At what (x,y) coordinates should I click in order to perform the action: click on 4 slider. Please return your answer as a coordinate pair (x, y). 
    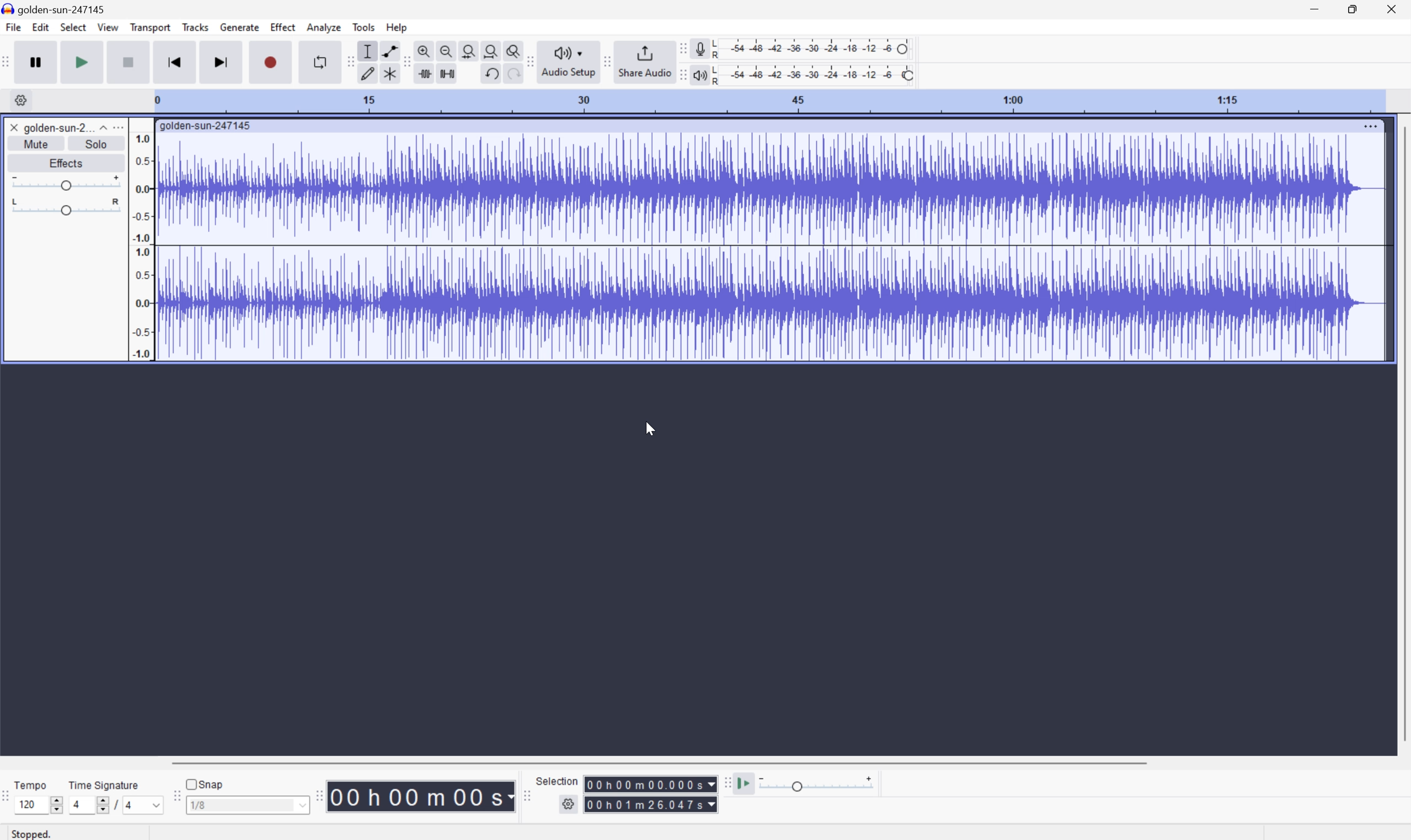
    Looking at the image, I should click on (87, 804).